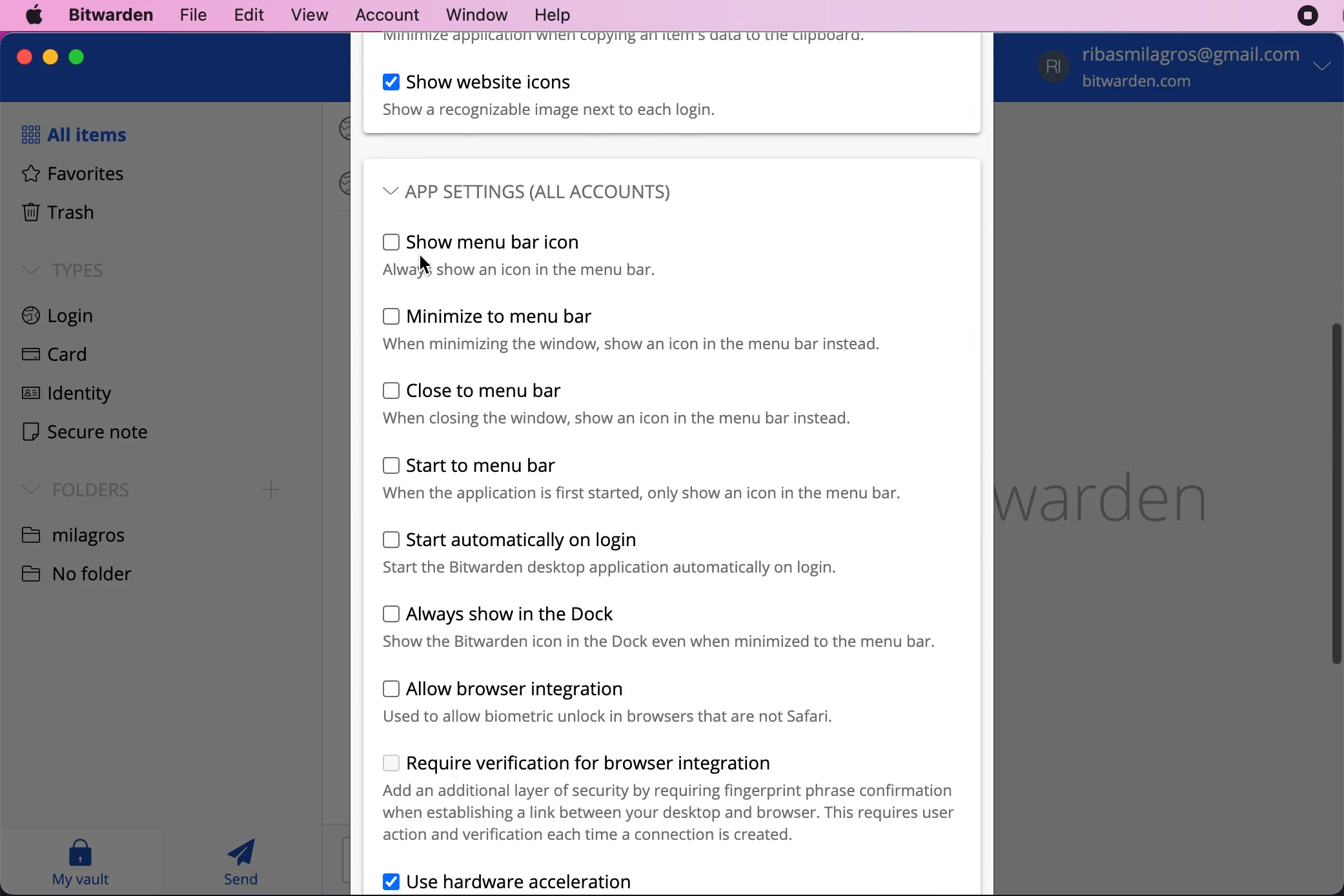 The height and width of the screenshot is (896, 1344). I want to click on minimize, so click(50, 57).